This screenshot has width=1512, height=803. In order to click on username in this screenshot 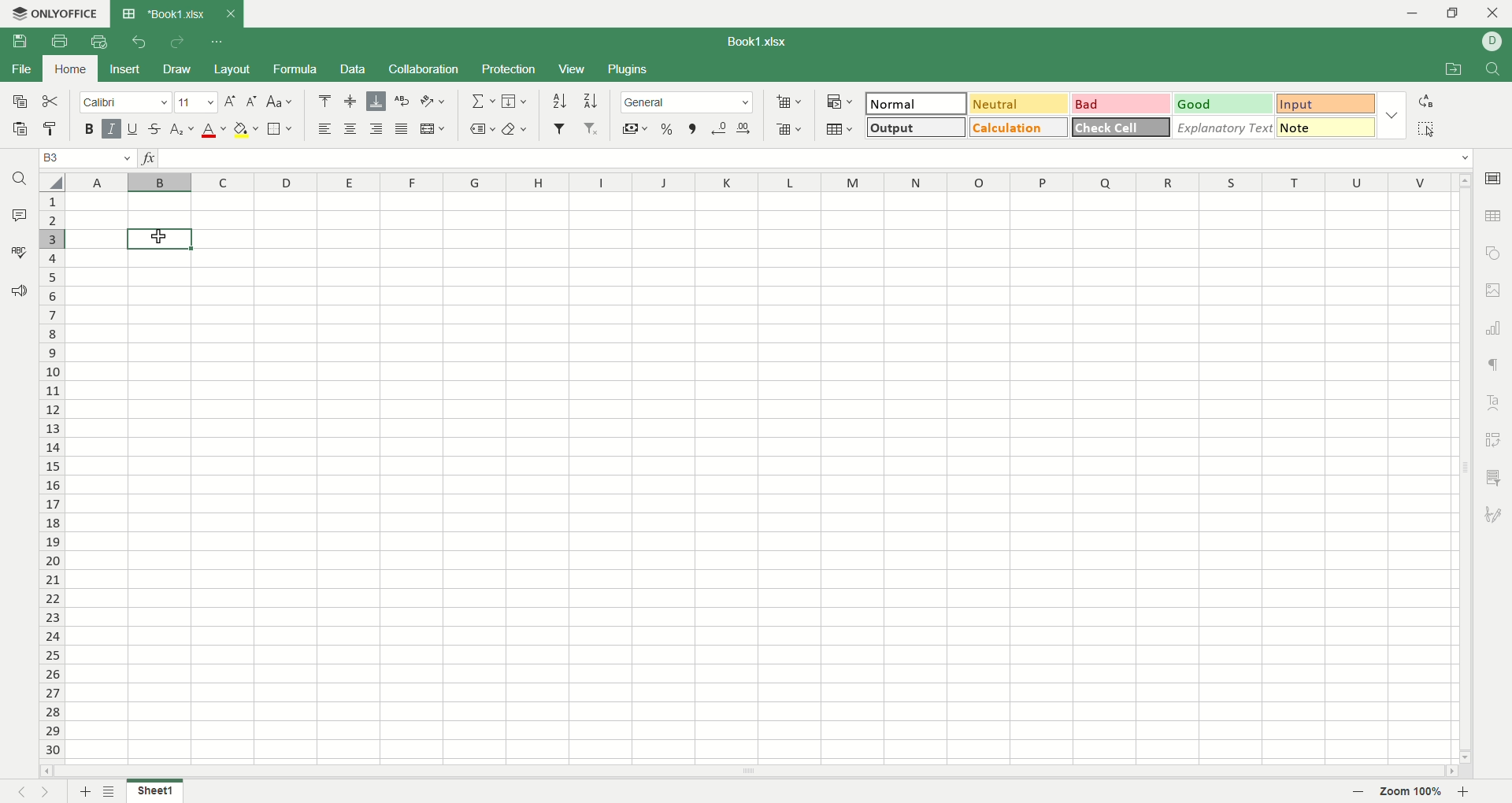, I will do `click(1493, 42)`.